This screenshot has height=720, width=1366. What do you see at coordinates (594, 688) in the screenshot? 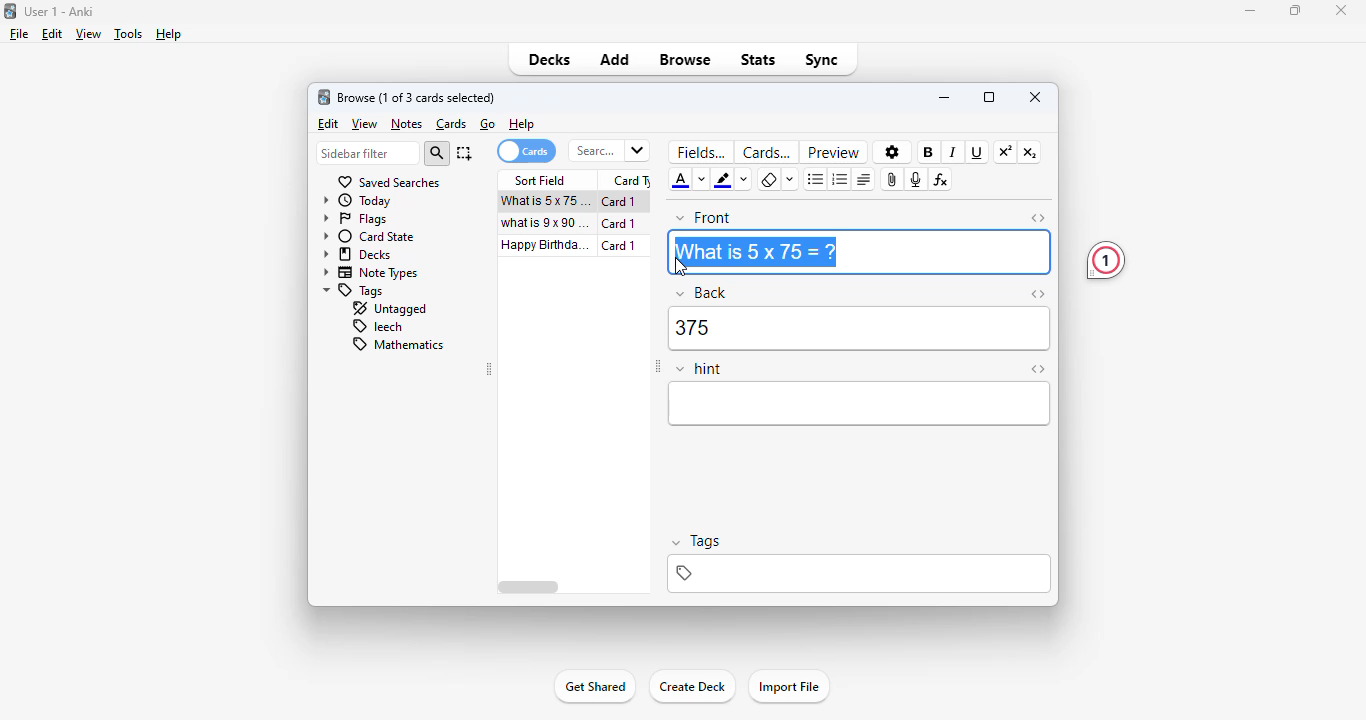
I see `get shared` at bounding box center [594, 688].